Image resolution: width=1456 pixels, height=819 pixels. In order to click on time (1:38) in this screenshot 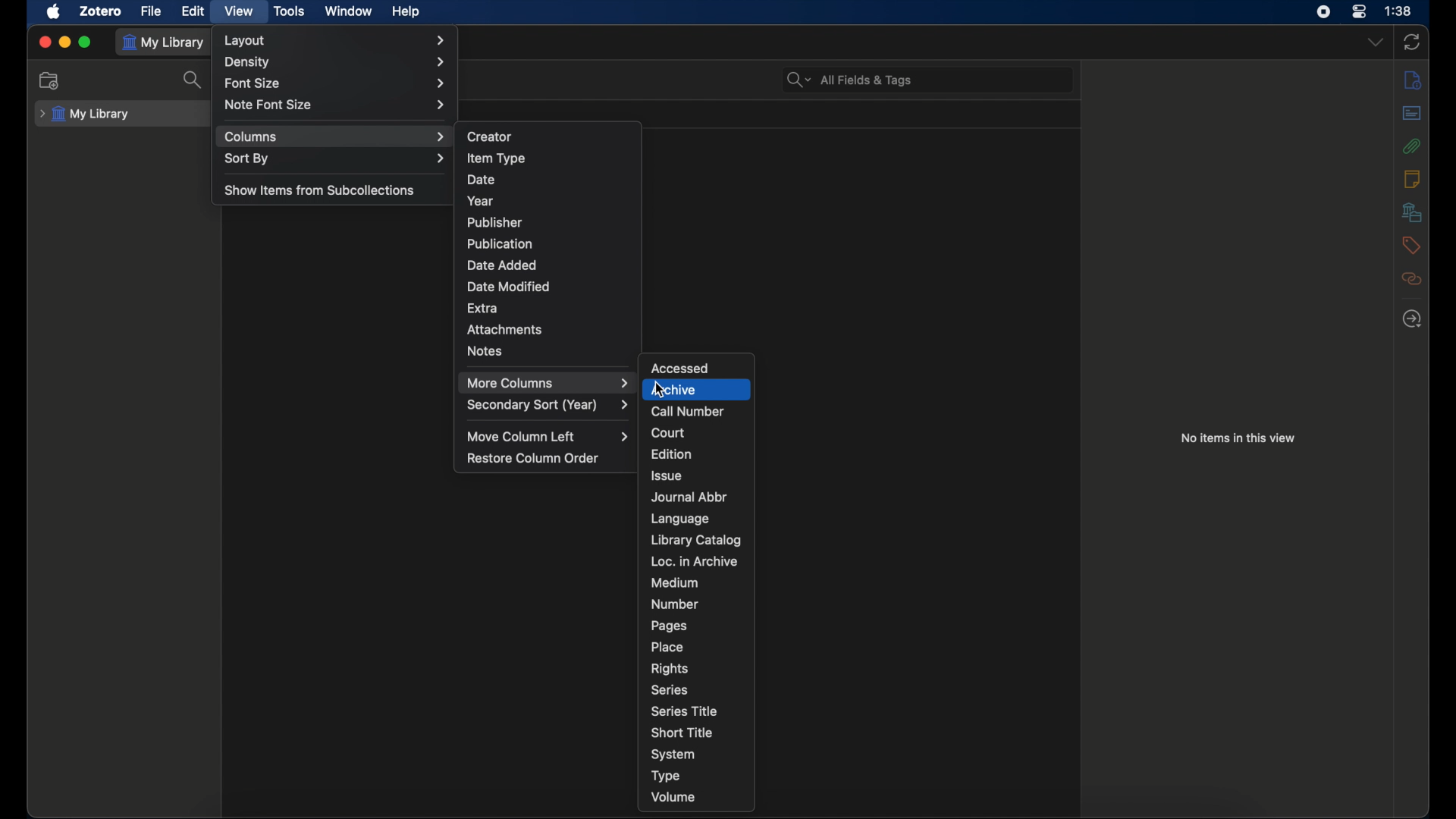, I will do `click(1398, 11)`.